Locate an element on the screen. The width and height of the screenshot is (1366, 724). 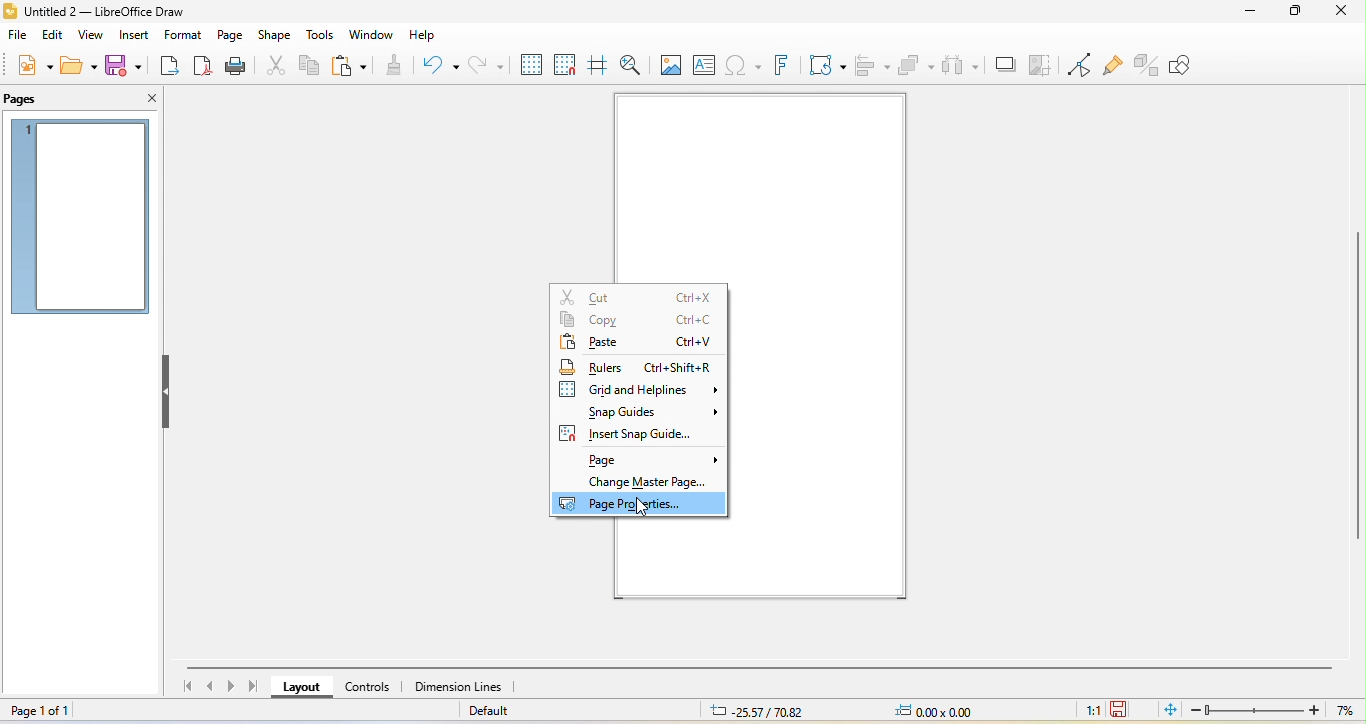
last page is located at coordinates (257, 686).